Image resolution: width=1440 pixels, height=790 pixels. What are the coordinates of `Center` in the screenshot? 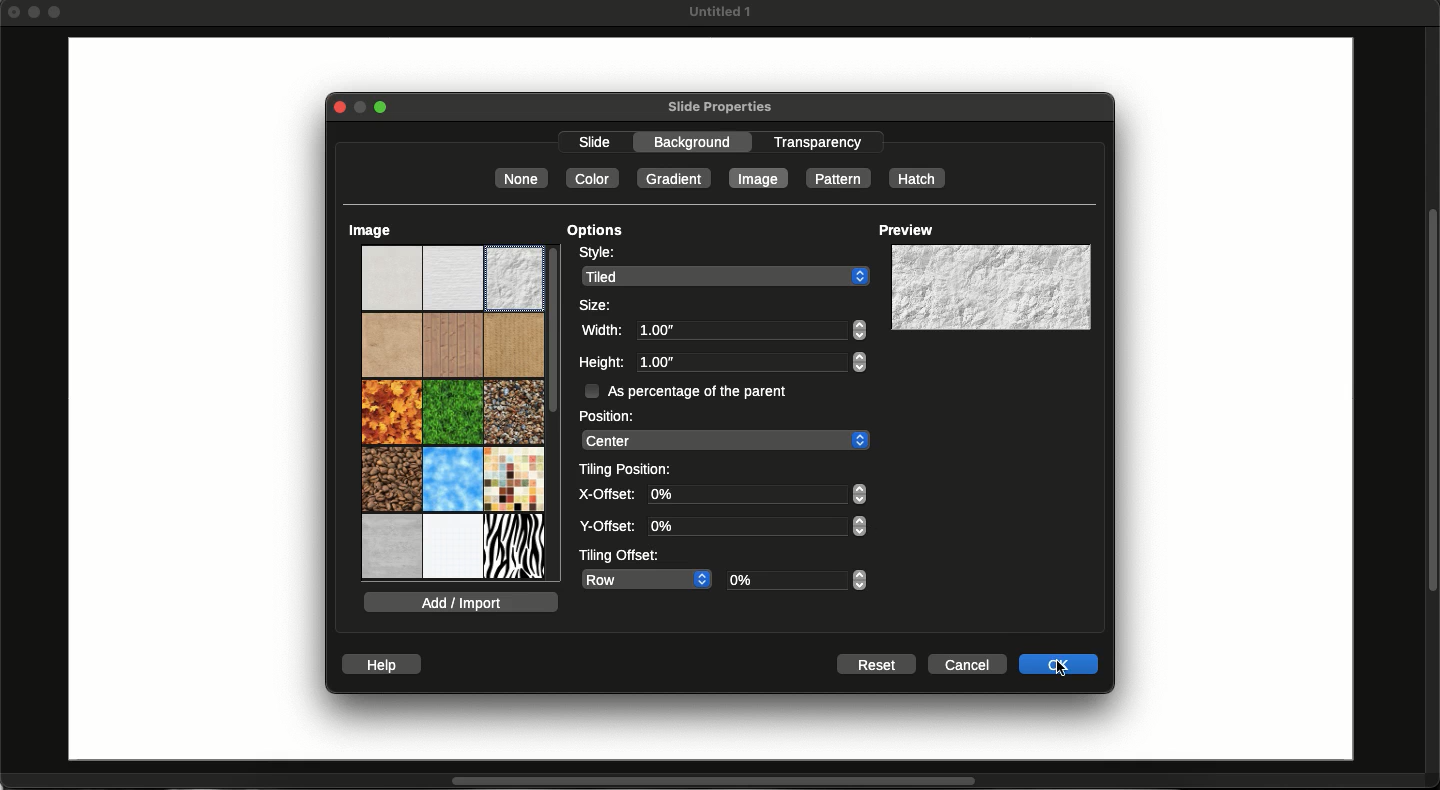 It's located at (724, 440).